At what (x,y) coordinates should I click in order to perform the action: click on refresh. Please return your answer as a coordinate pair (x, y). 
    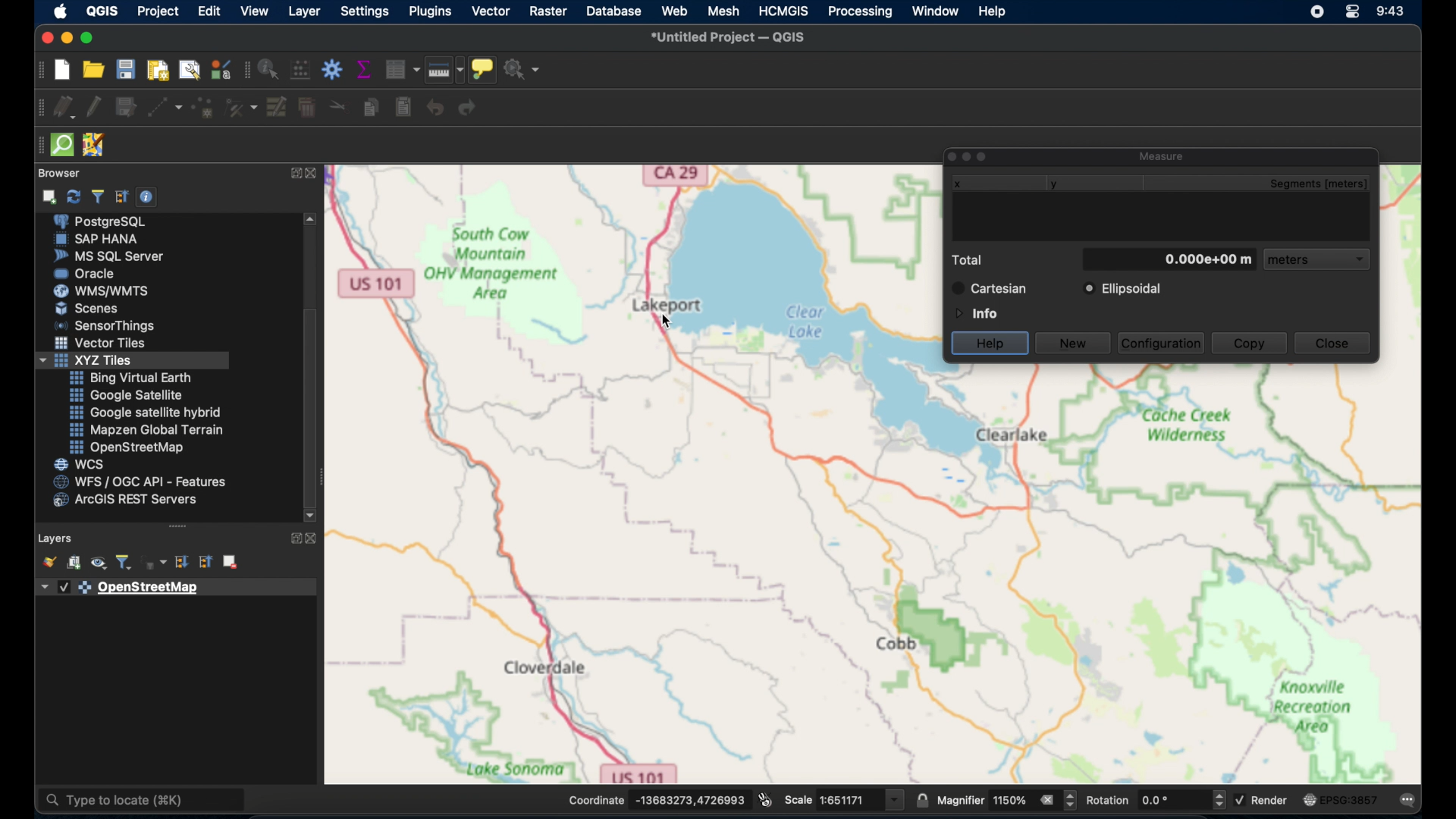
    Looking at the image, I should click on (72, 197).